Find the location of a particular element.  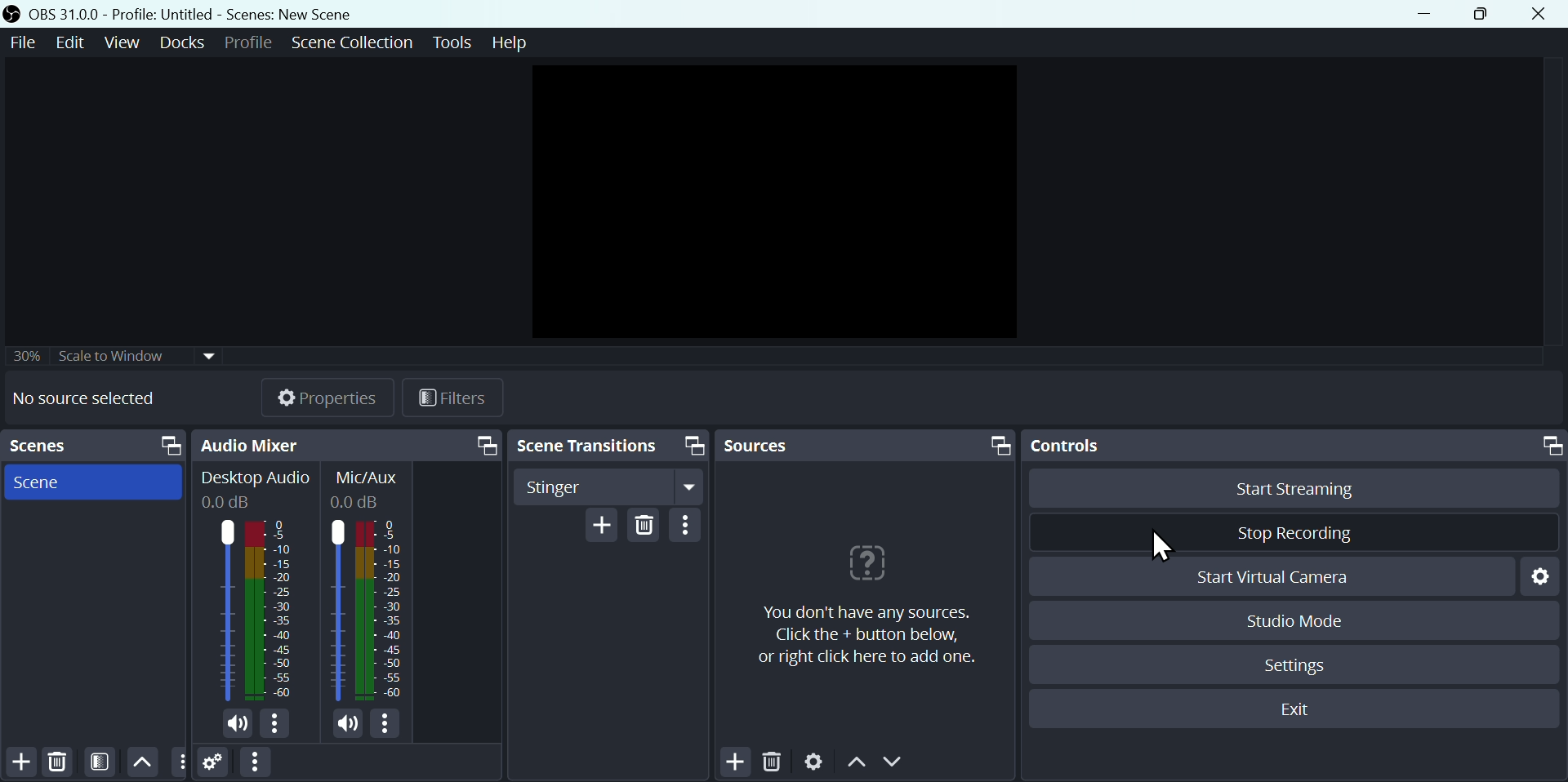

Start virtual camera is located at coordinates (1290, 575).